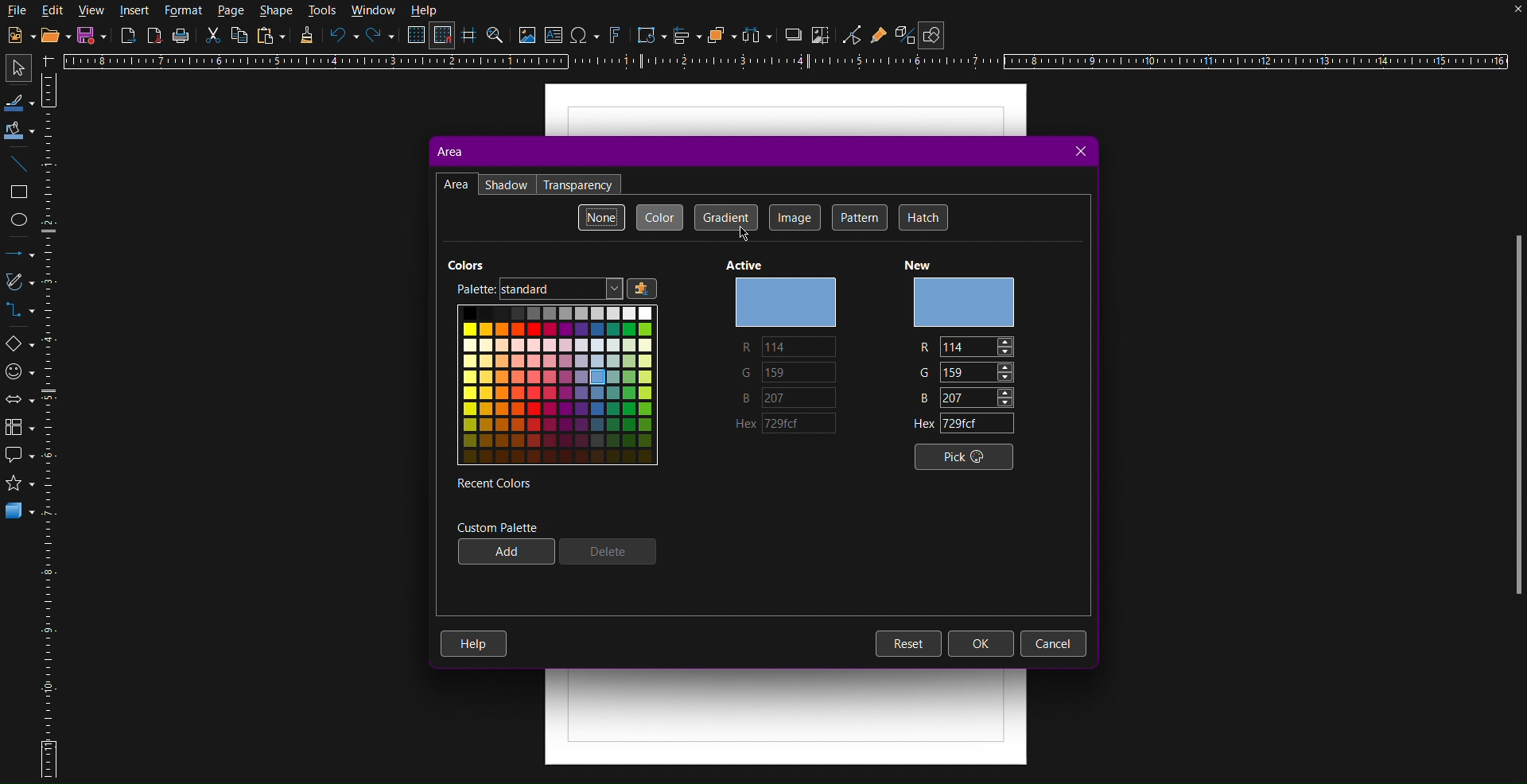  I want to click on close, so click(1502, 16).